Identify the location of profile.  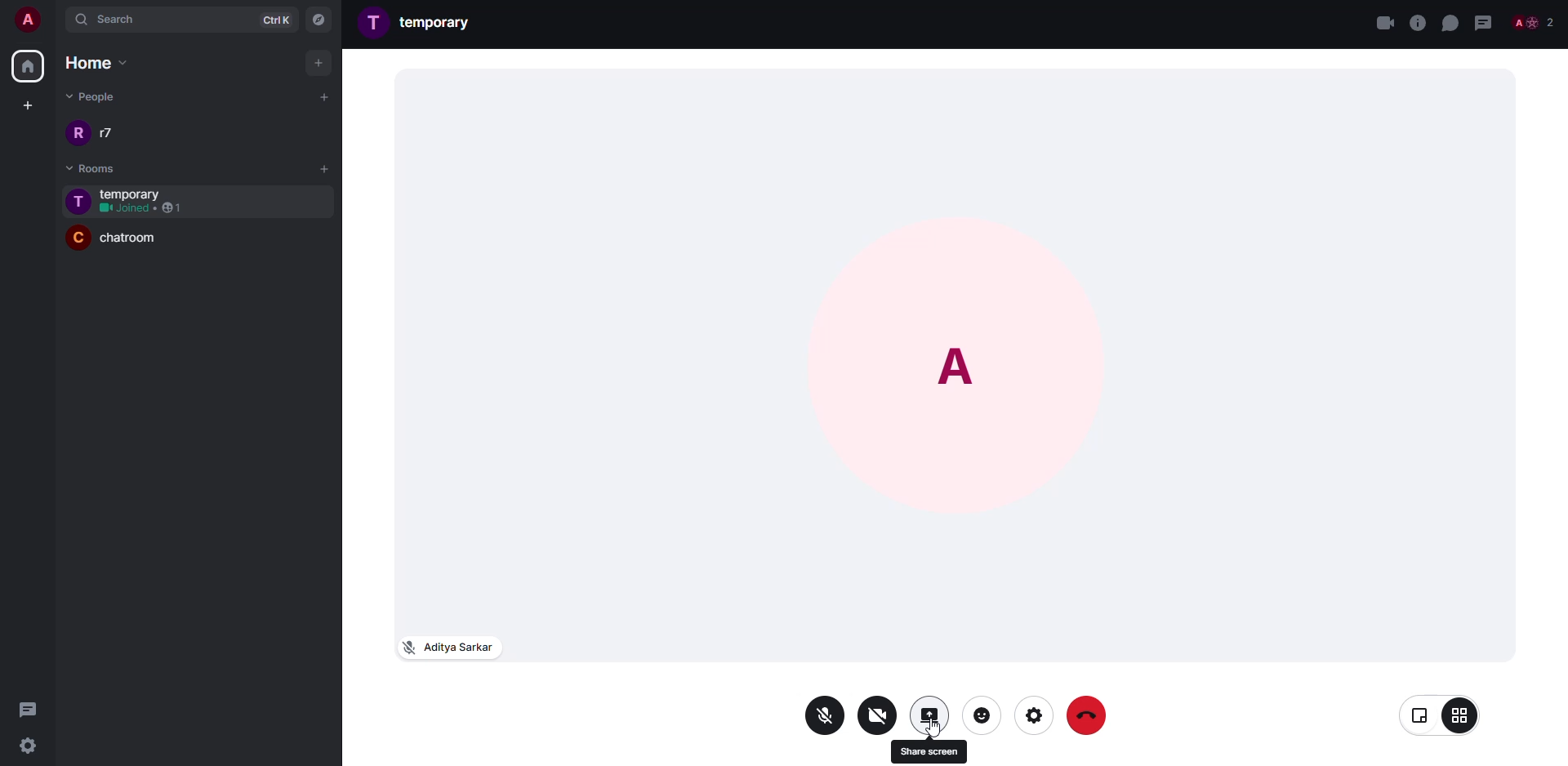
(78, 202).